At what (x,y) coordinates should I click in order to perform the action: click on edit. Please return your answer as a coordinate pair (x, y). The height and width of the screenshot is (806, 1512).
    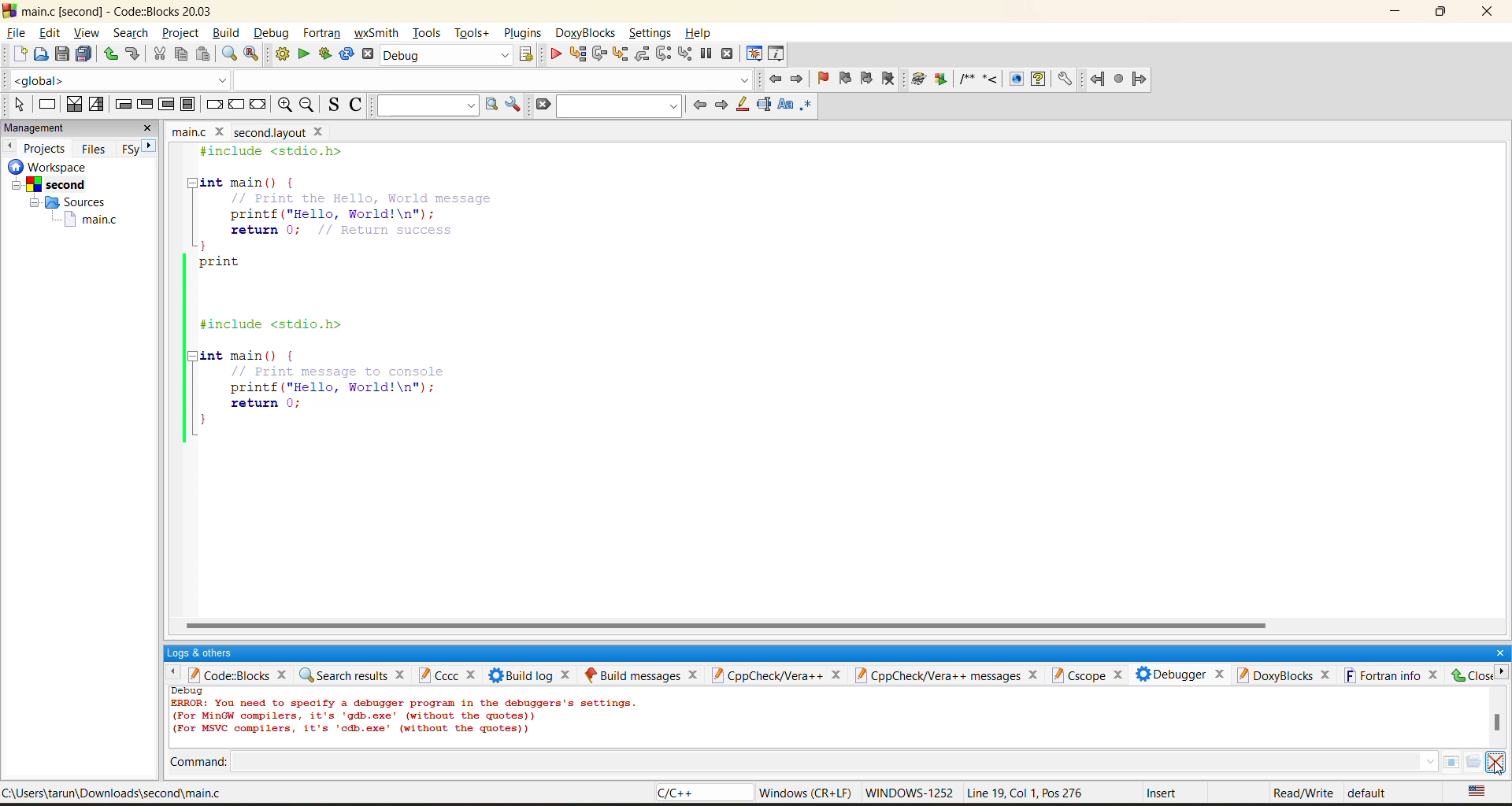
    Looking at the image, I should click on (50, 32).